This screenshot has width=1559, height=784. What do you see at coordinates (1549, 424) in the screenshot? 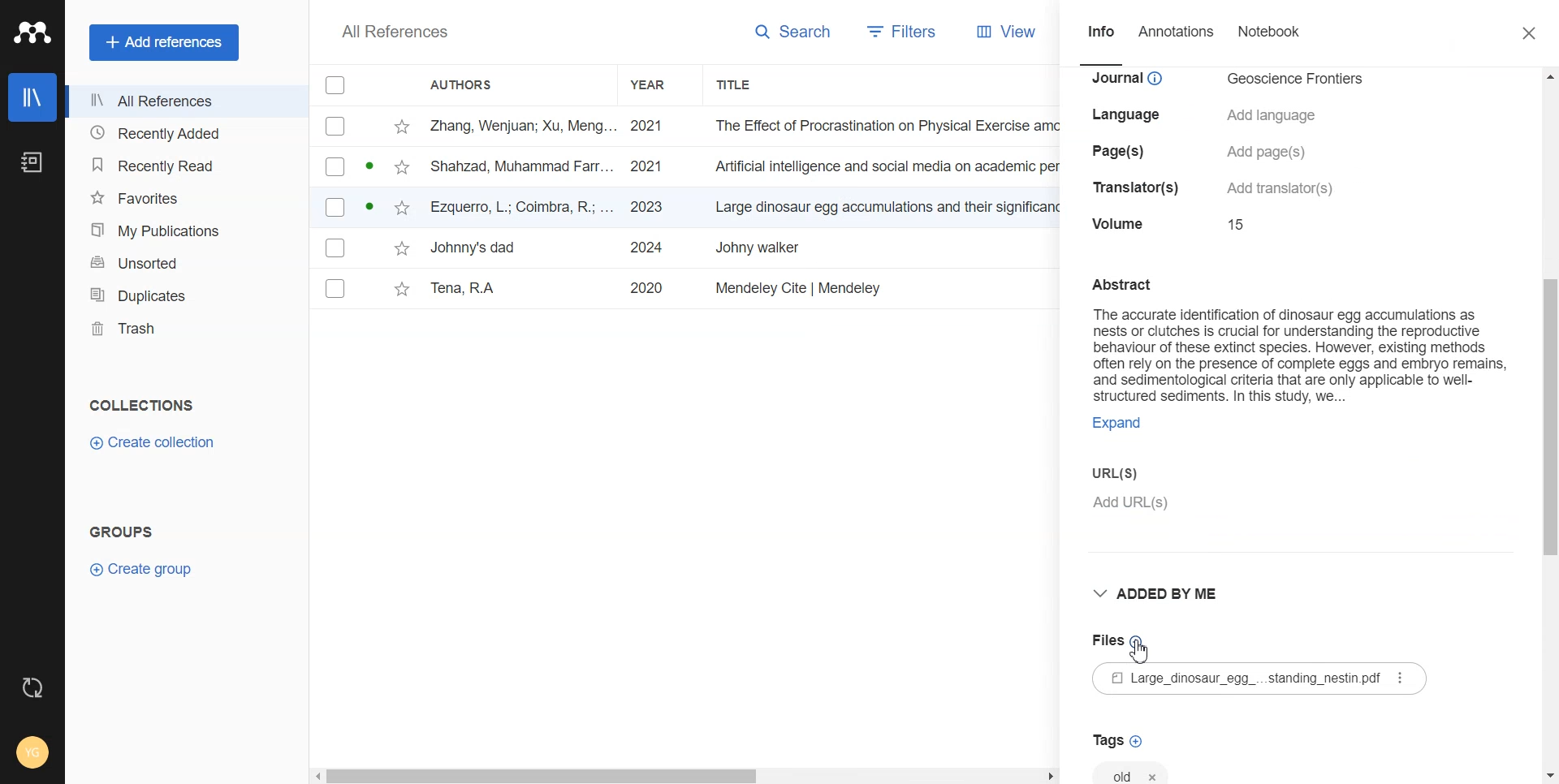
I see `Vertical scroll bar` at bounding box center [1549, 424].